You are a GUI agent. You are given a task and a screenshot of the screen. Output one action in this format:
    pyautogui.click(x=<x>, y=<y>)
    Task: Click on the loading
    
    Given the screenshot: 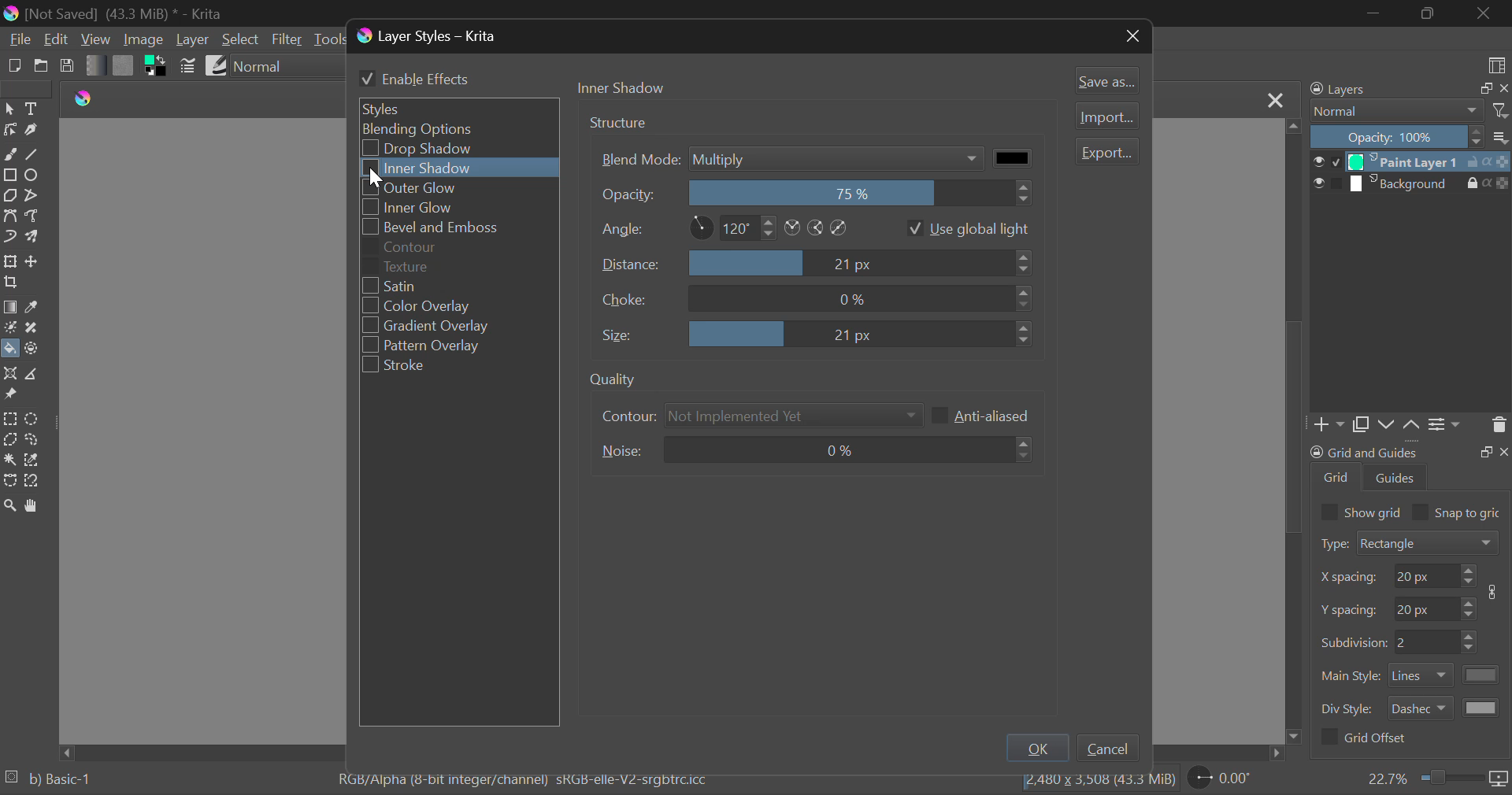 What is the action you would take?
    pyautogui.click(x=10, y=775)
    